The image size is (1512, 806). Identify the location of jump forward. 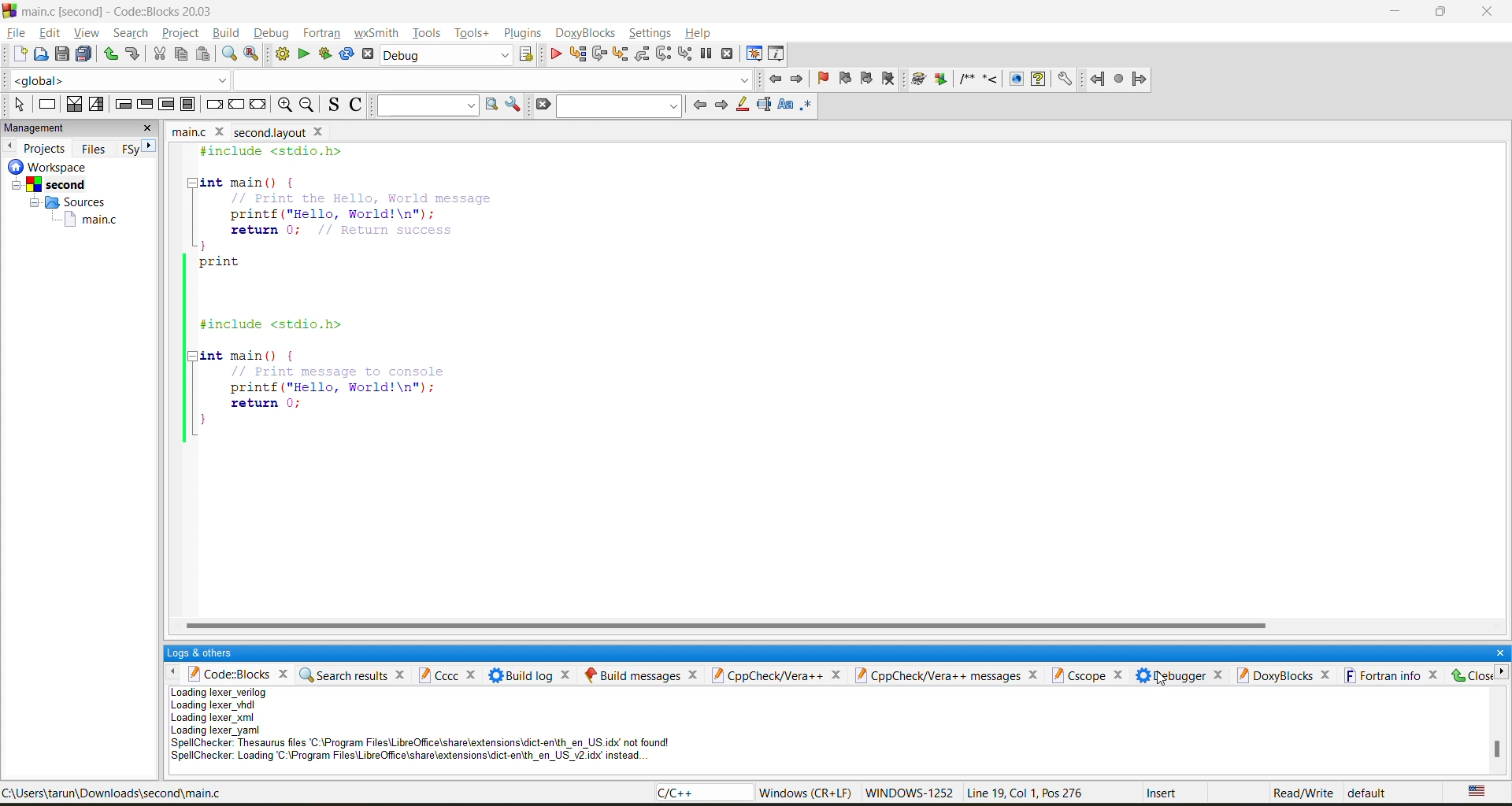
(798, 78).